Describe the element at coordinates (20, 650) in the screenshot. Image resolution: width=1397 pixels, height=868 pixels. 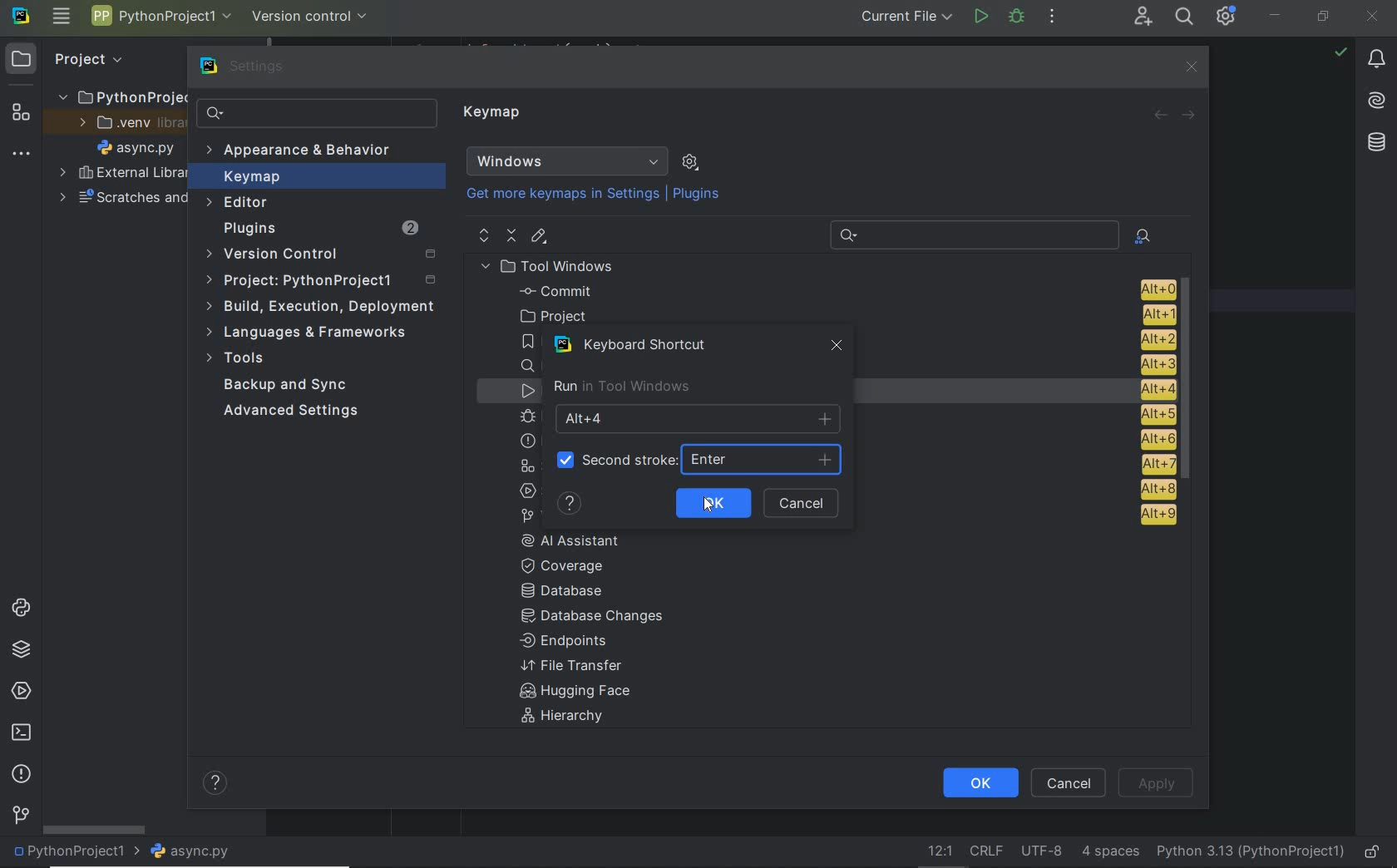
I see `python packages` at that location.